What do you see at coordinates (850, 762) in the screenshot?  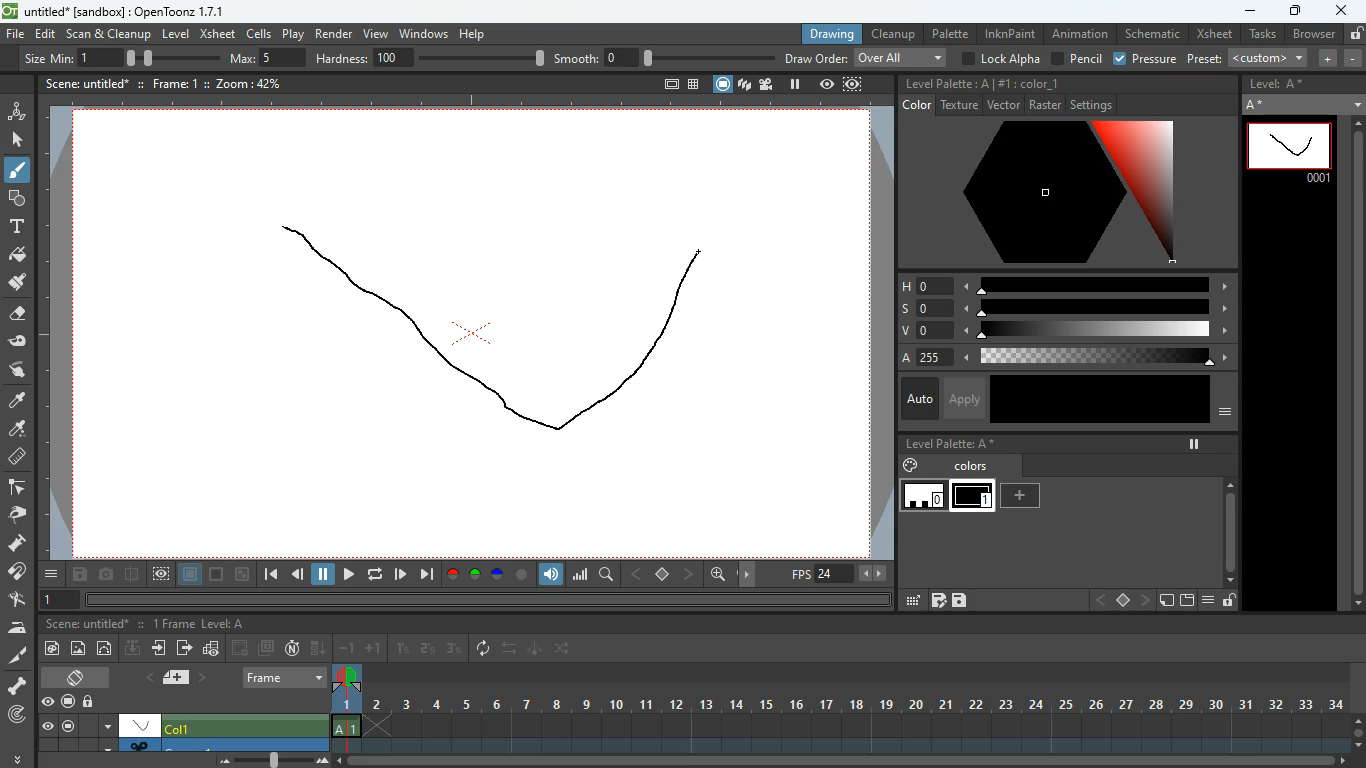 I see `scroll` at bounding box center [850, 762].